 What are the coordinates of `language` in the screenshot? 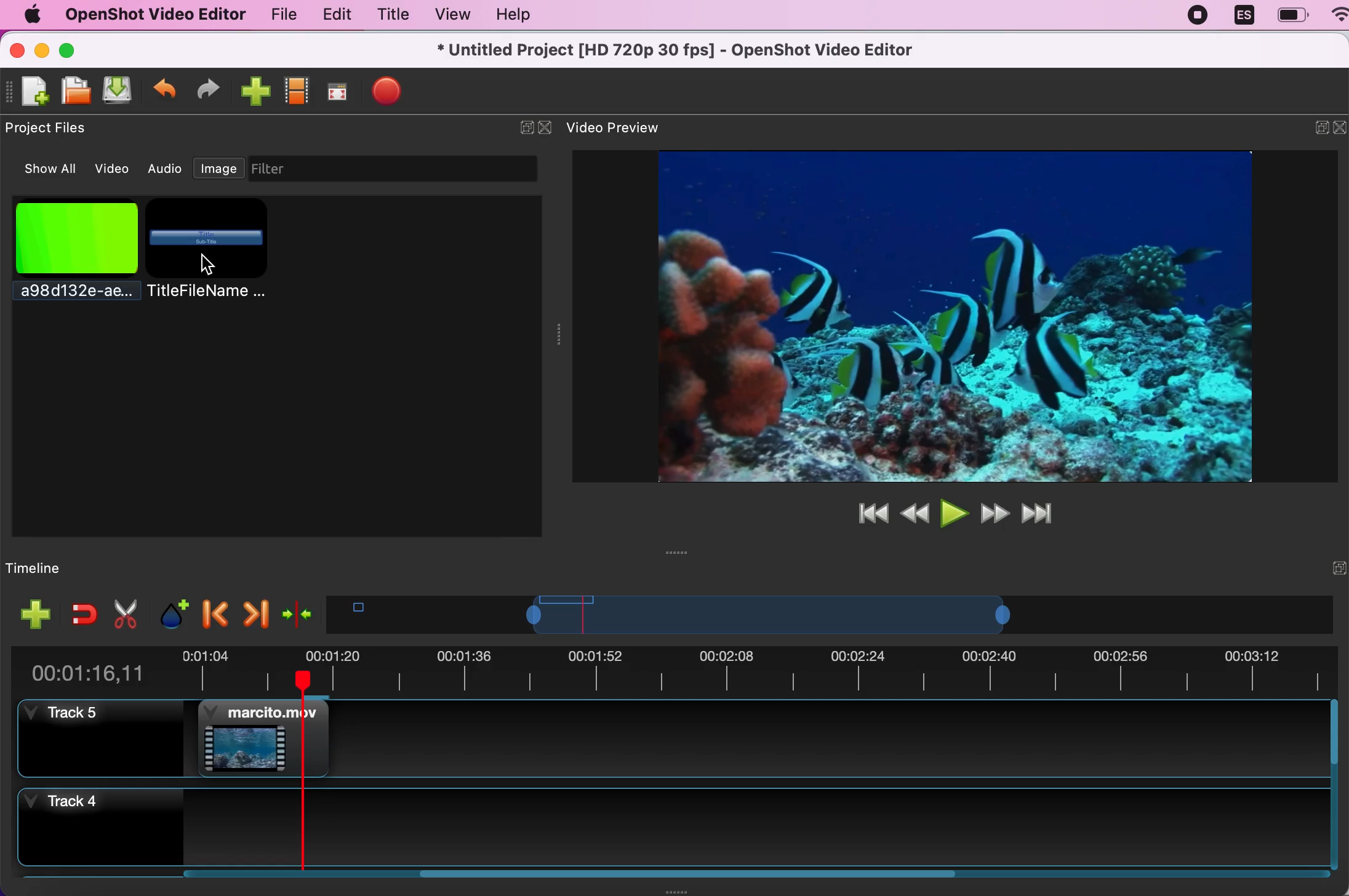 It's located at (1244, 17).